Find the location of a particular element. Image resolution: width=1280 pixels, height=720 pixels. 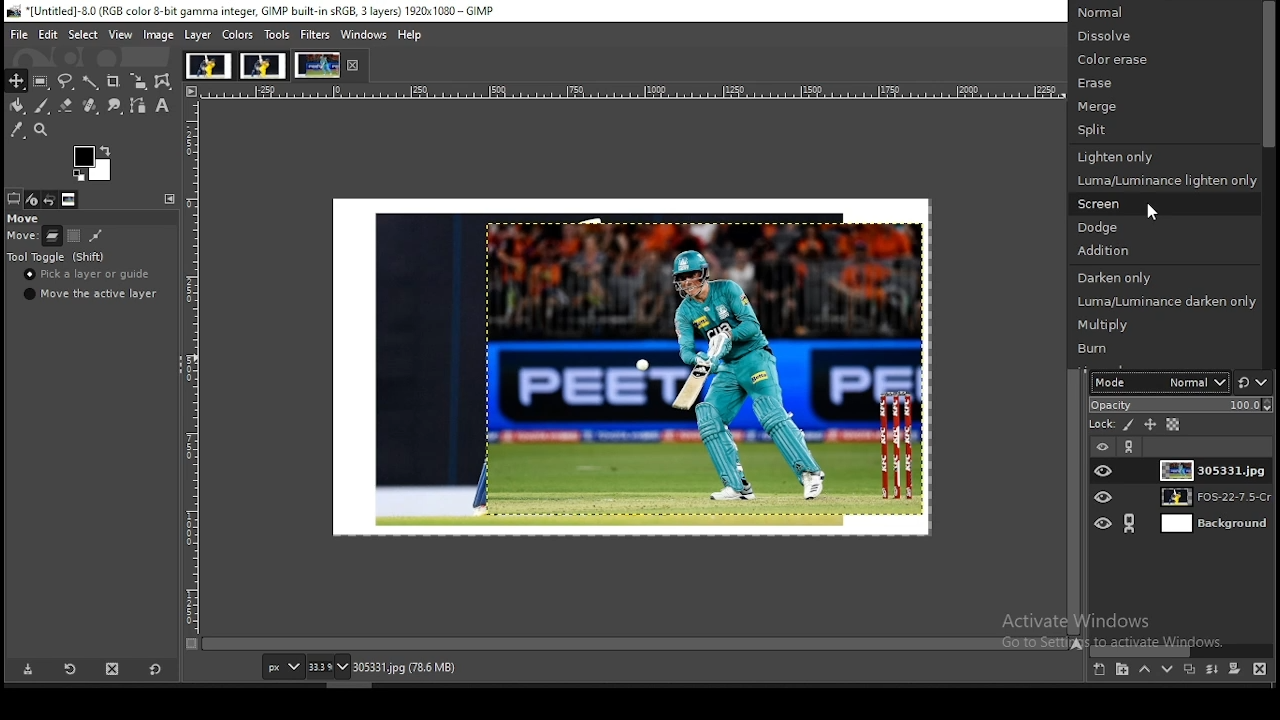

move layers is located at coordinates (53, 236).